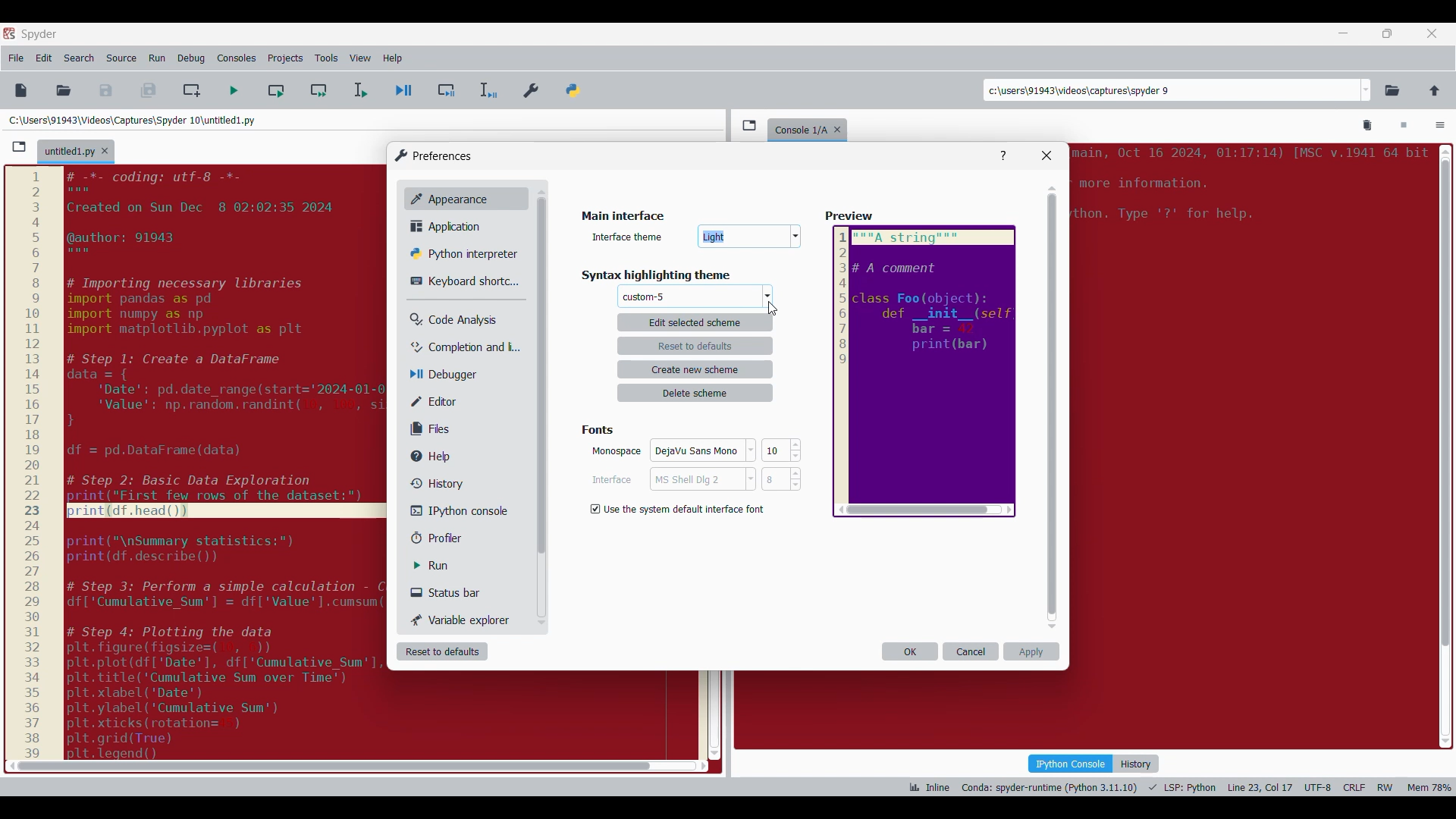  I want to click on code, so click(1247, 190).